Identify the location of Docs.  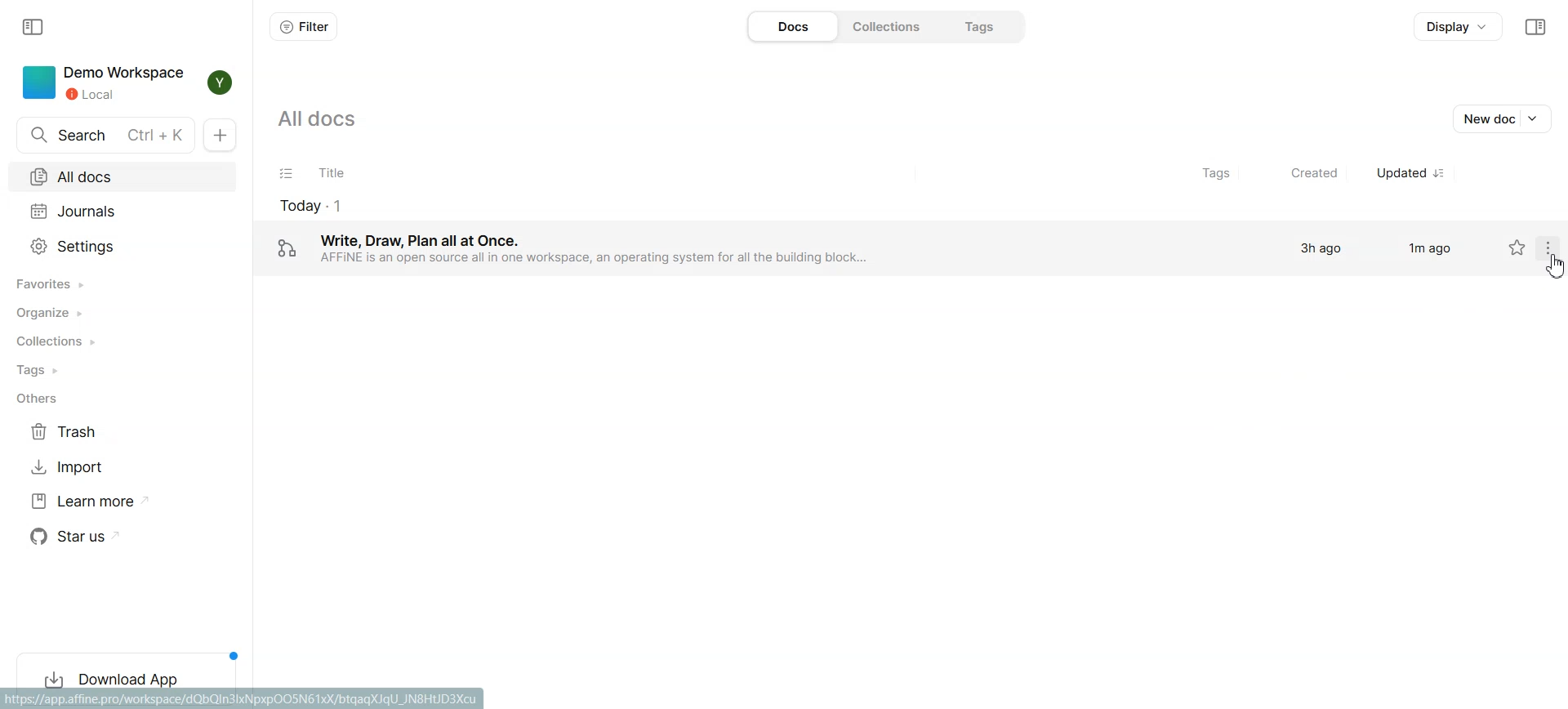
(792, 26).